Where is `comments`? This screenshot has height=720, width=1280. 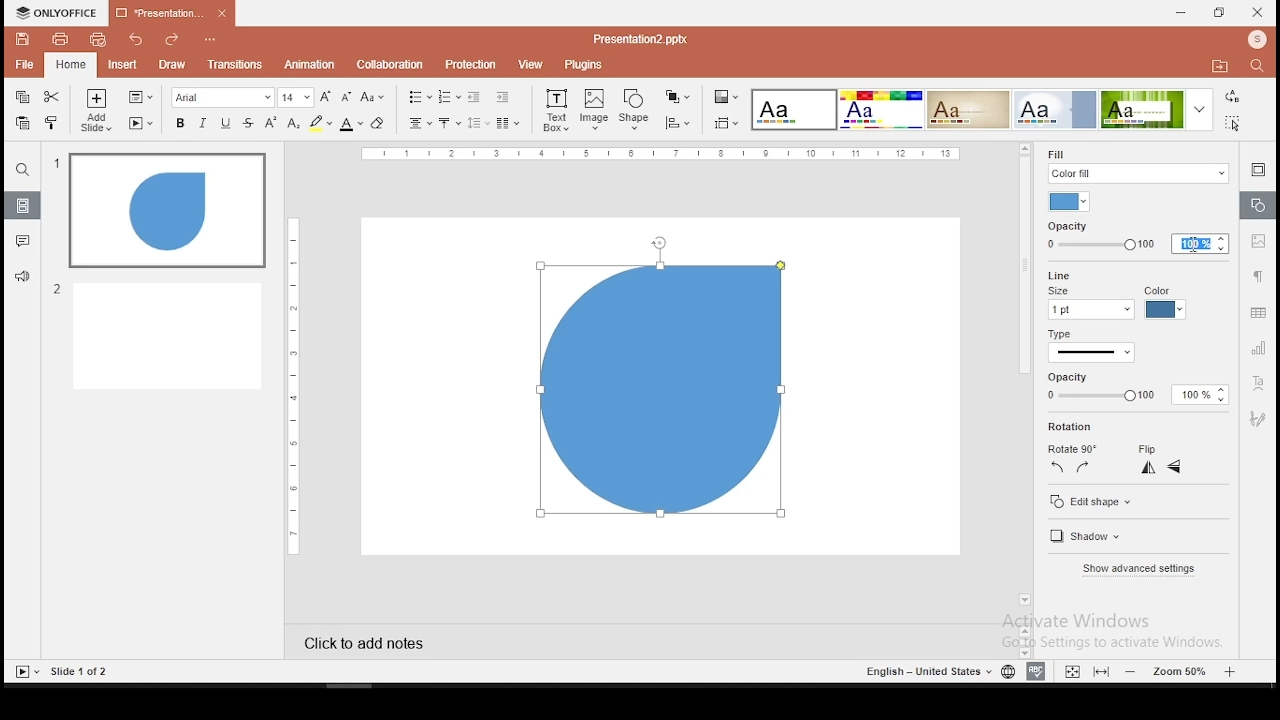 comments is located at coordinates (20, 242).